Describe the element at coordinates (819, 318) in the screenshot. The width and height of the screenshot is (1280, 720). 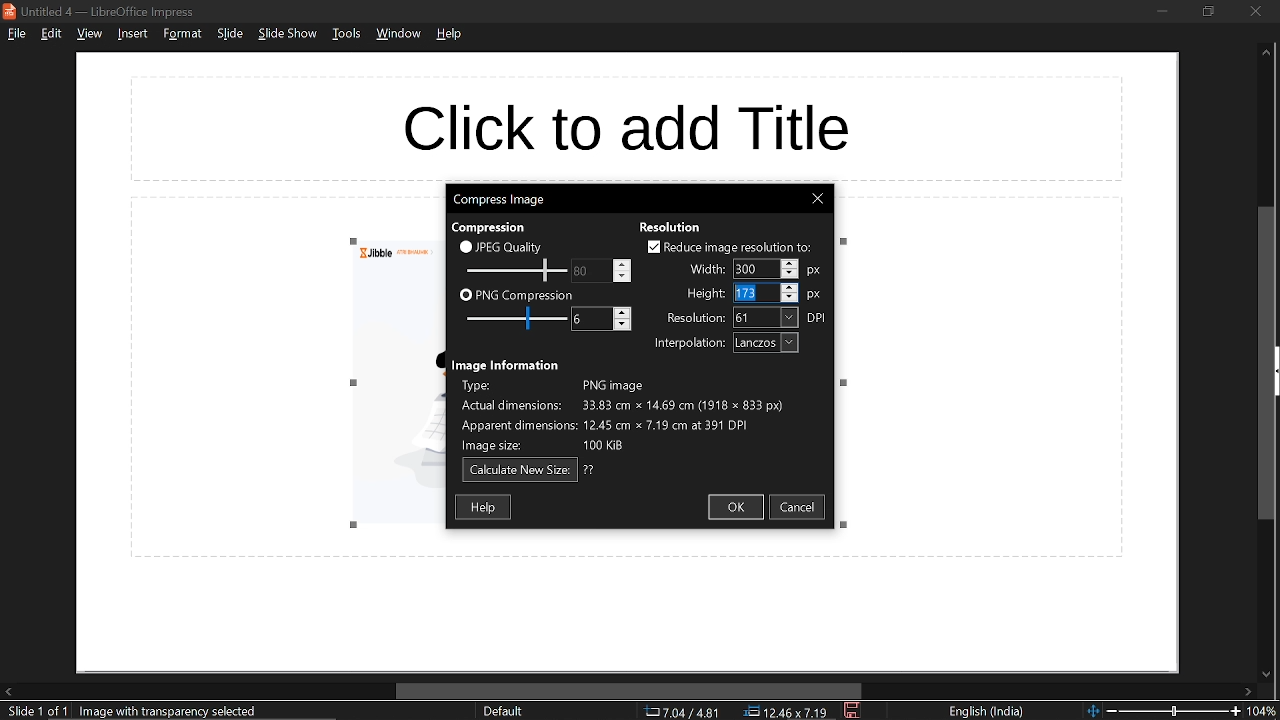
I see `dpi` at that location.